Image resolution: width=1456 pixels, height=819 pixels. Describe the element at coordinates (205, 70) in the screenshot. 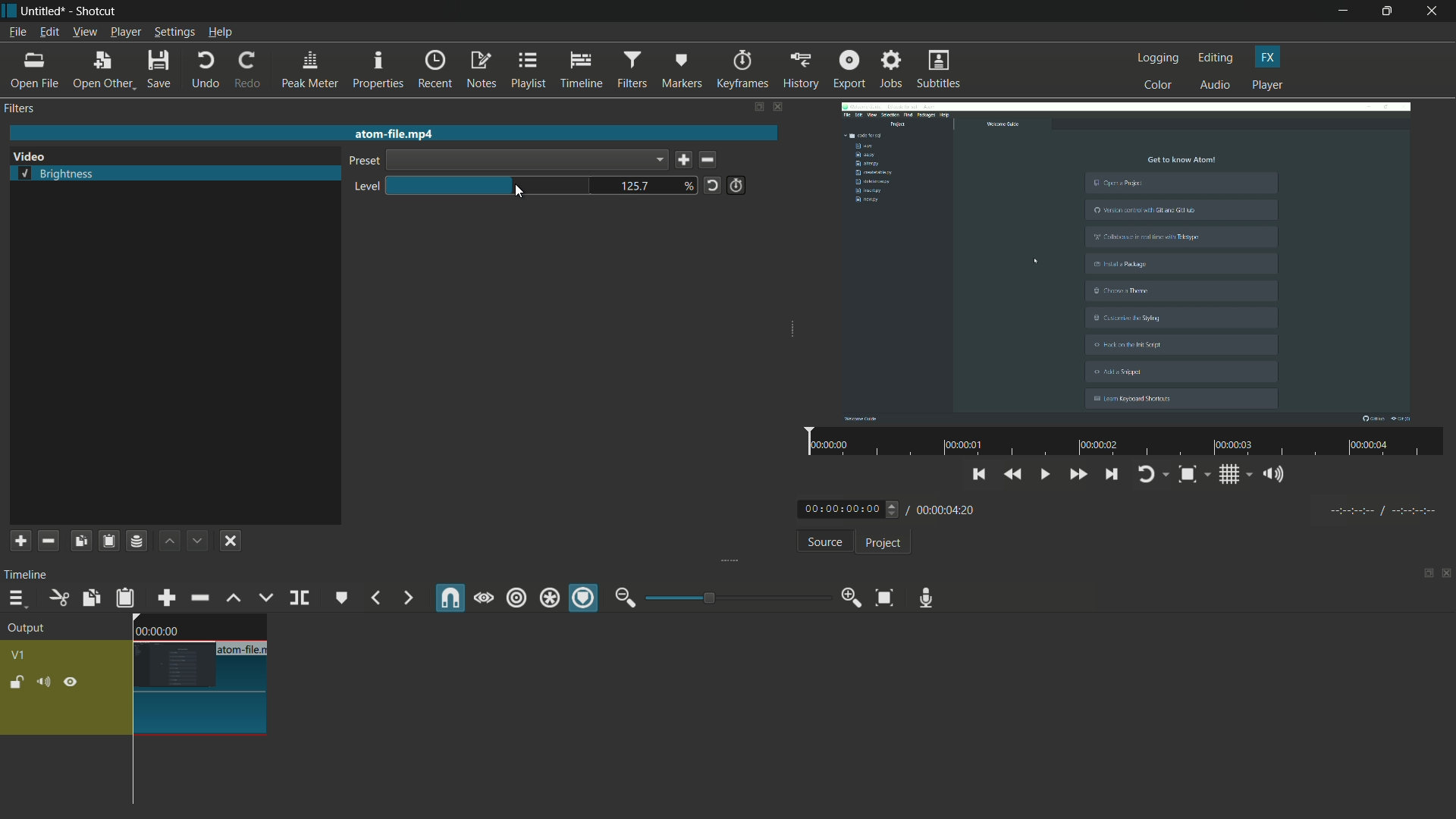

I see `undo` at that location.